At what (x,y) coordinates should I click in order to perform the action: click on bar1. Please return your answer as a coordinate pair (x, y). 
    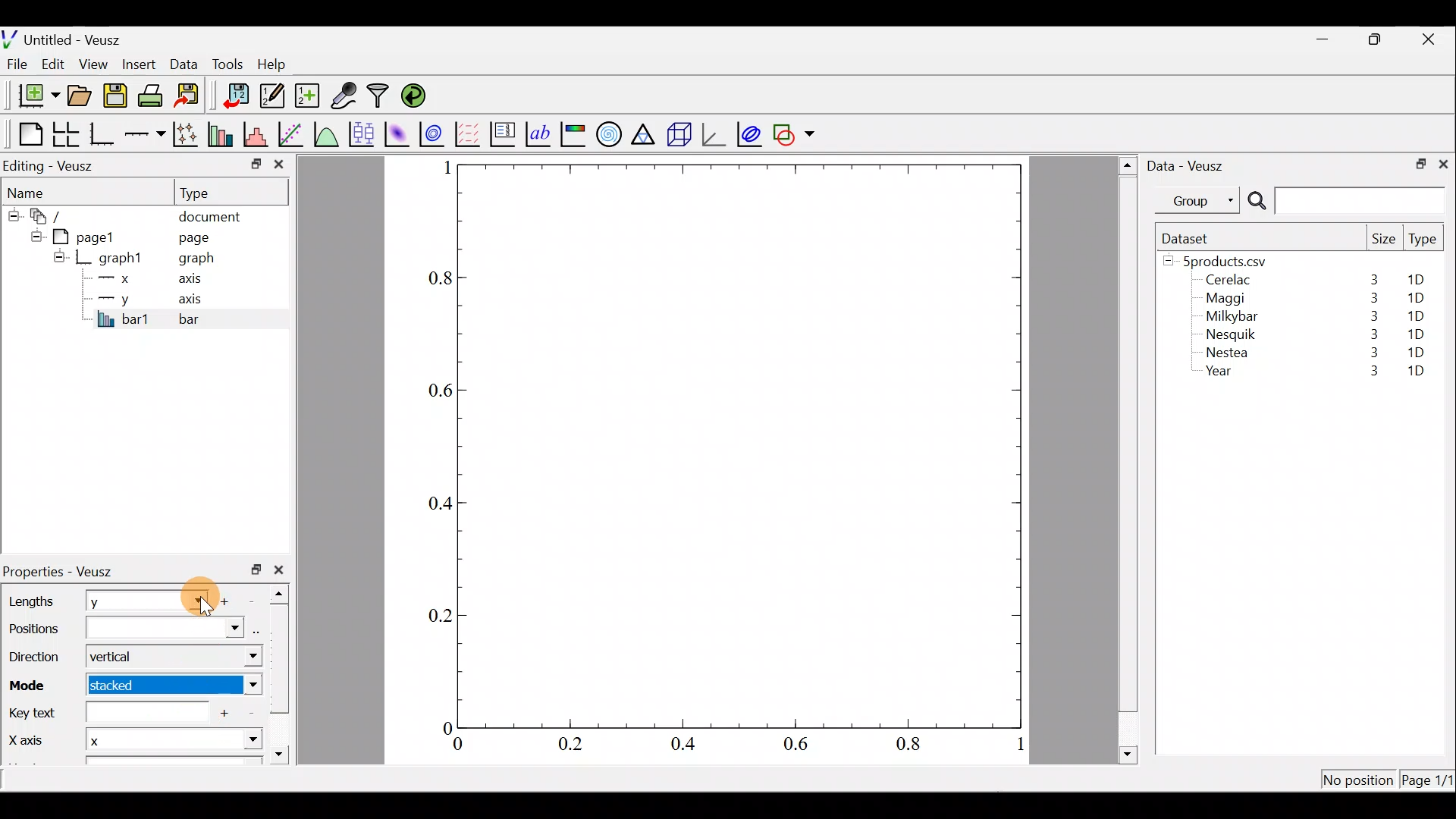
    Looking at the image, I should click on (124, 318).